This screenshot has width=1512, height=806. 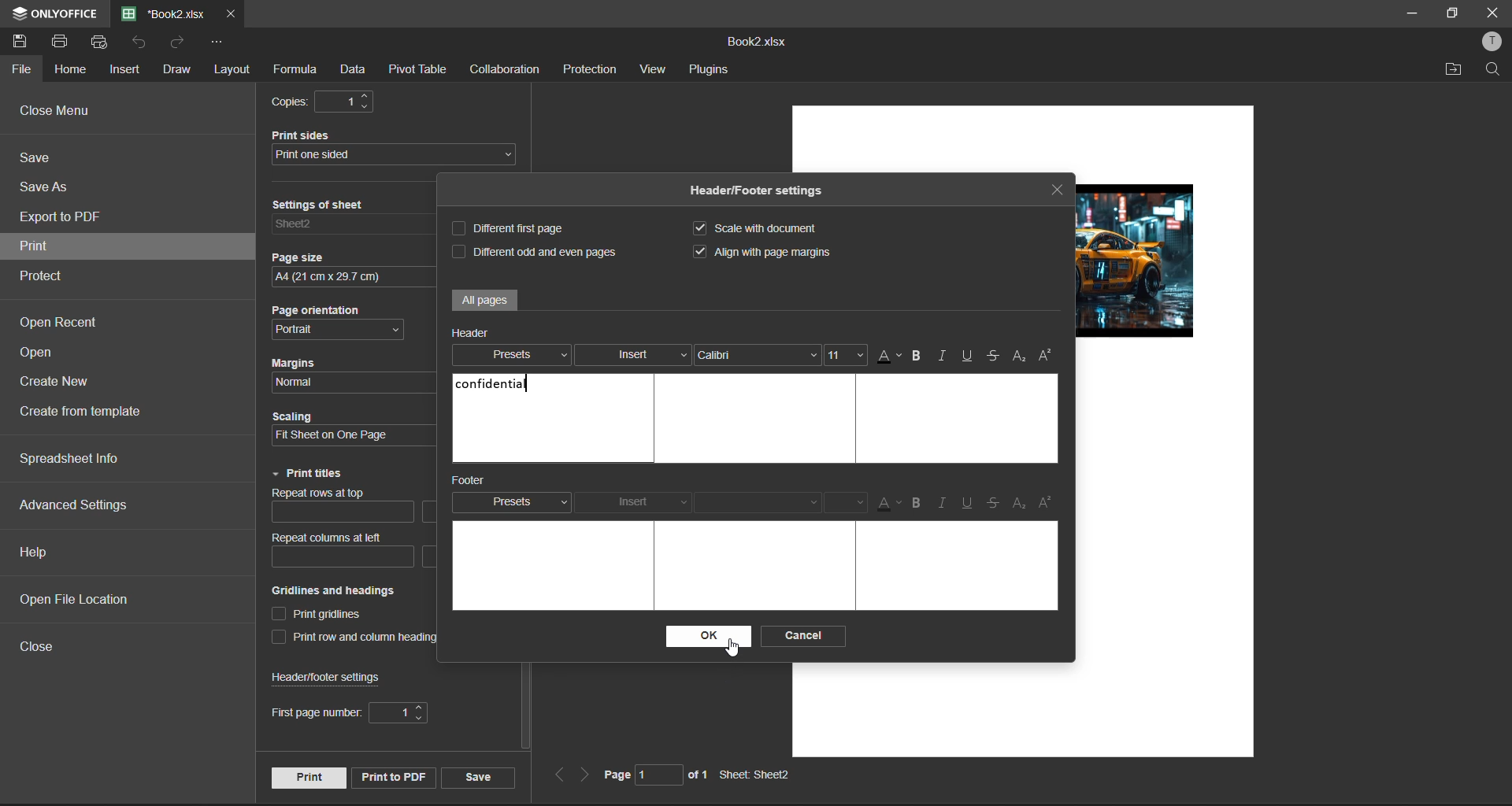 What do you see at coordinates (346, 266) in the screenshot?
I see `page size` at bounding box center [346, 266].